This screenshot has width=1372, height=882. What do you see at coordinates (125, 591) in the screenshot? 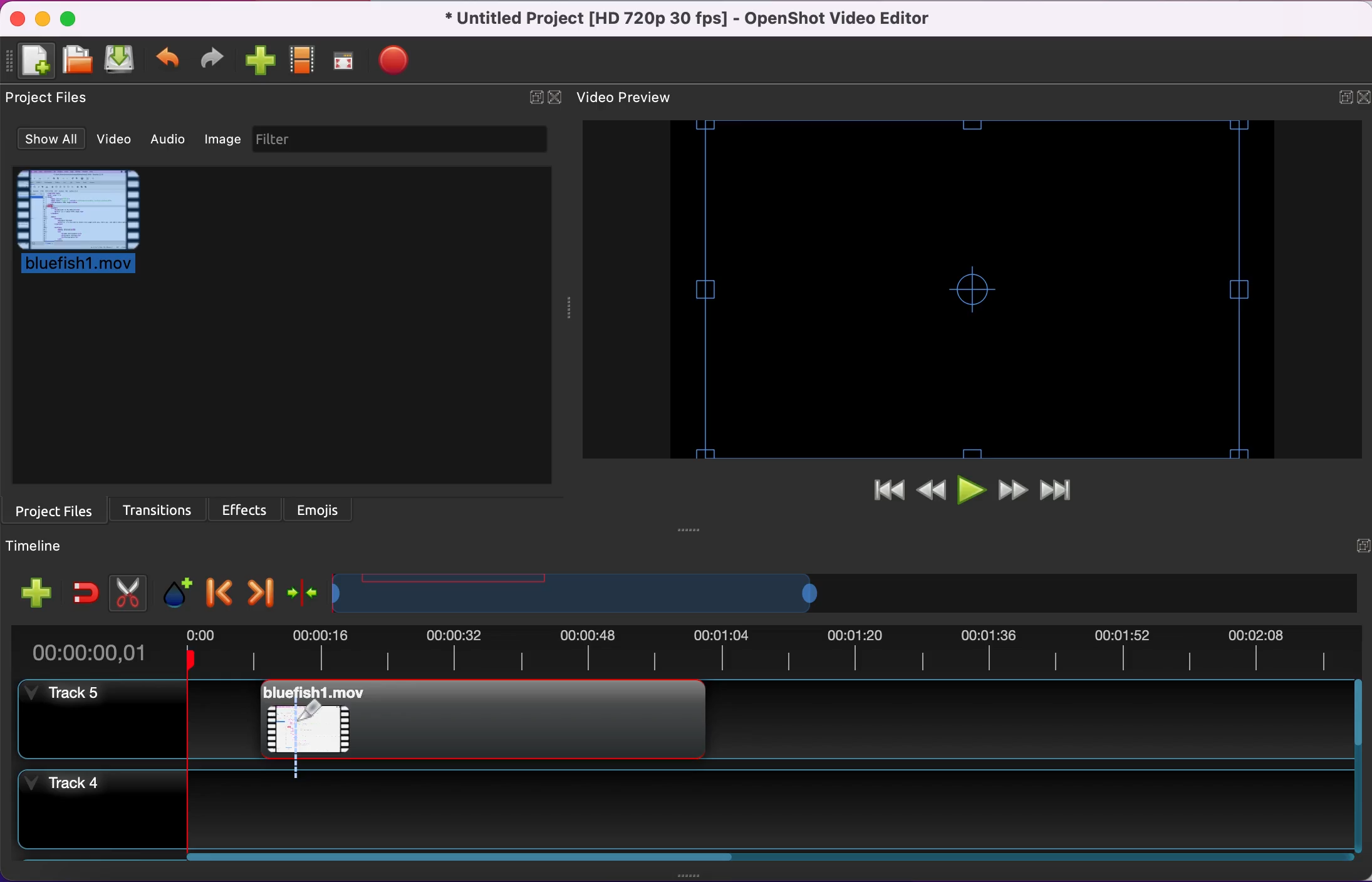
I see `cut` at bounding box center [125, 591].